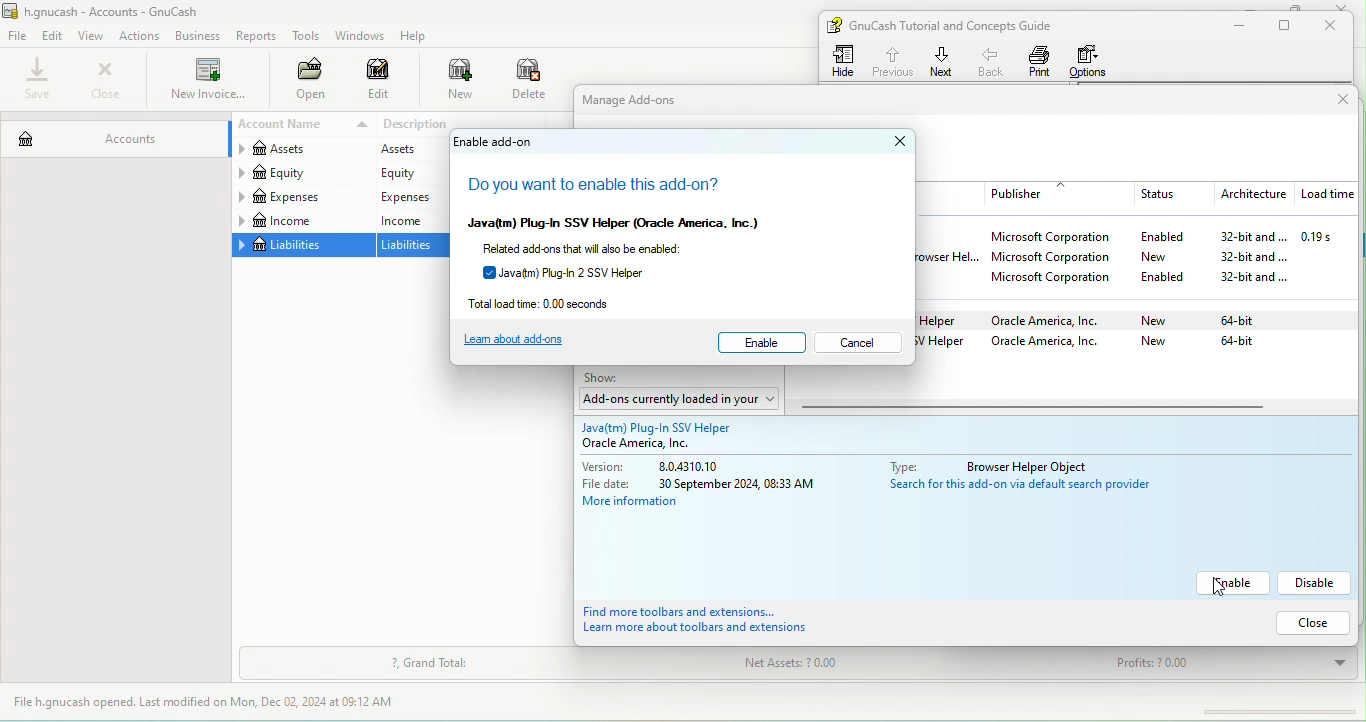 The image size is (1366, 722). Describe the element at coordinates (1055, 259) in the screenshot. I see `microsoft corporation` at that location.